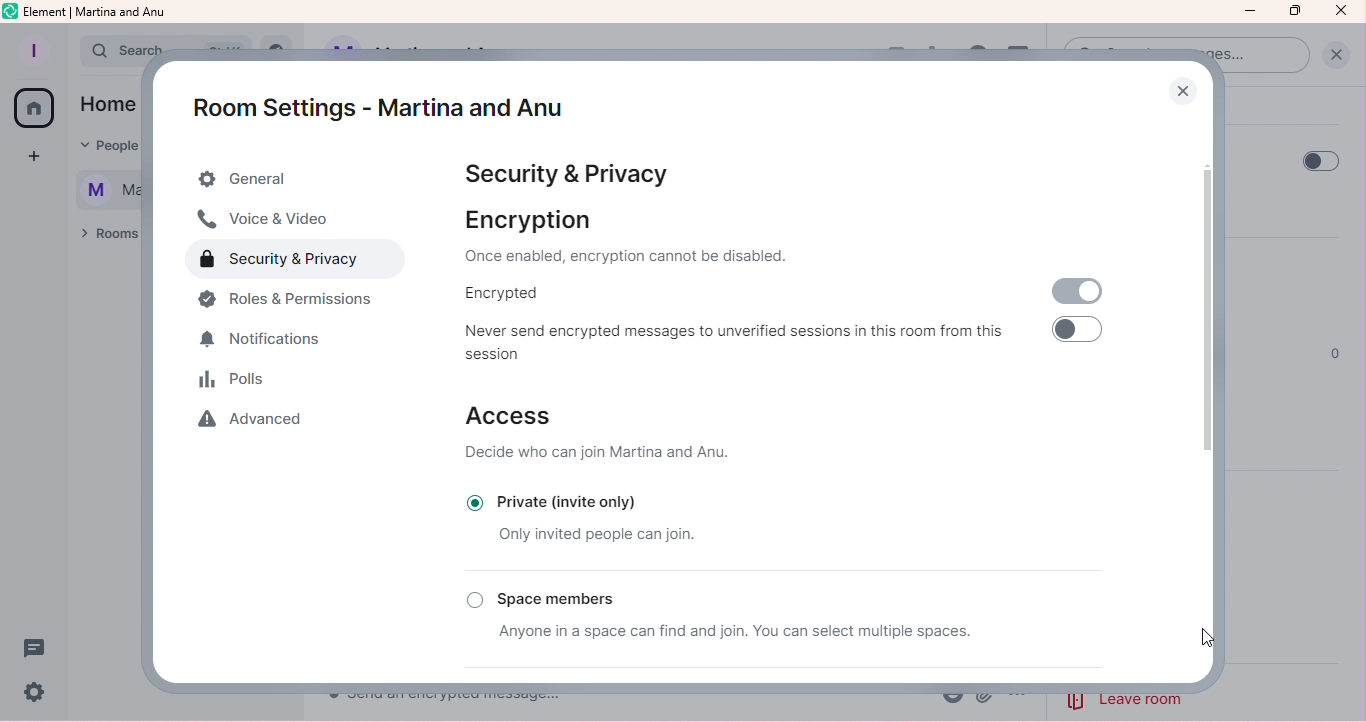  I want to click on General, so click(299, 180).